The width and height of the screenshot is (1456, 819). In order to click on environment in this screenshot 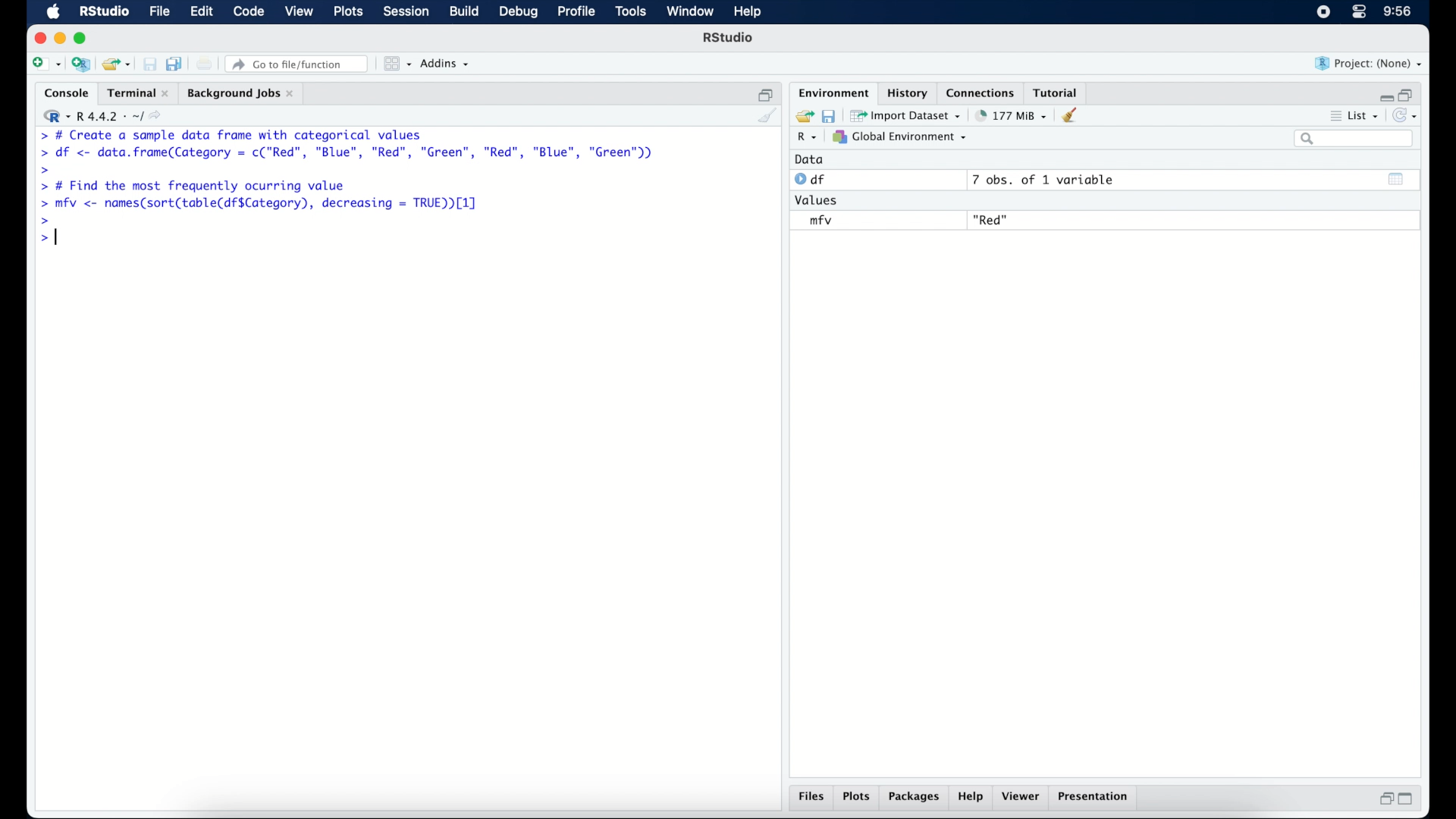, I will do `click(833, 92)`.